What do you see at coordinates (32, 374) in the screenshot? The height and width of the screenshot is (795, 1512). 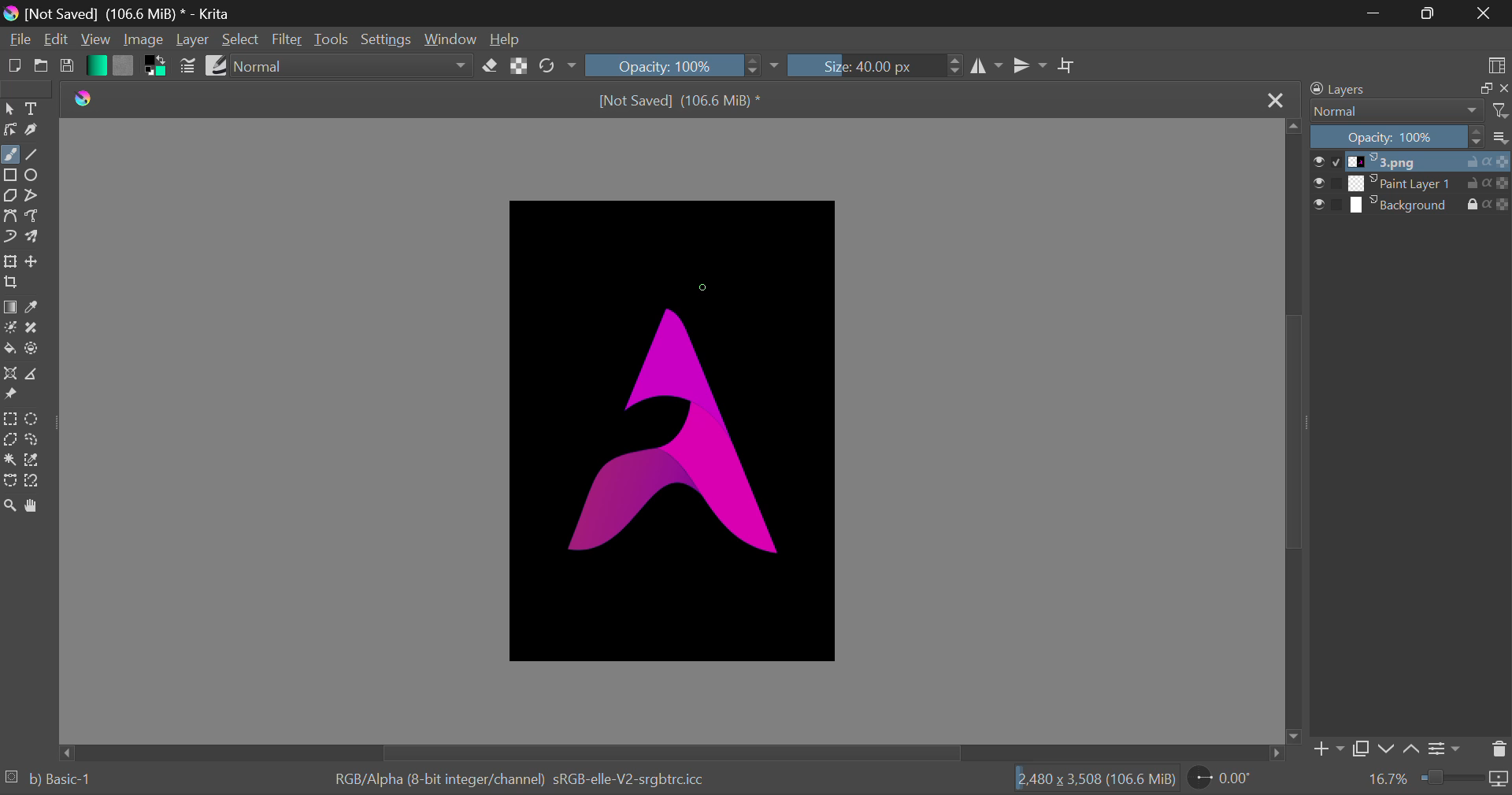 I see `Measurements` at bounding box center [32, 374].